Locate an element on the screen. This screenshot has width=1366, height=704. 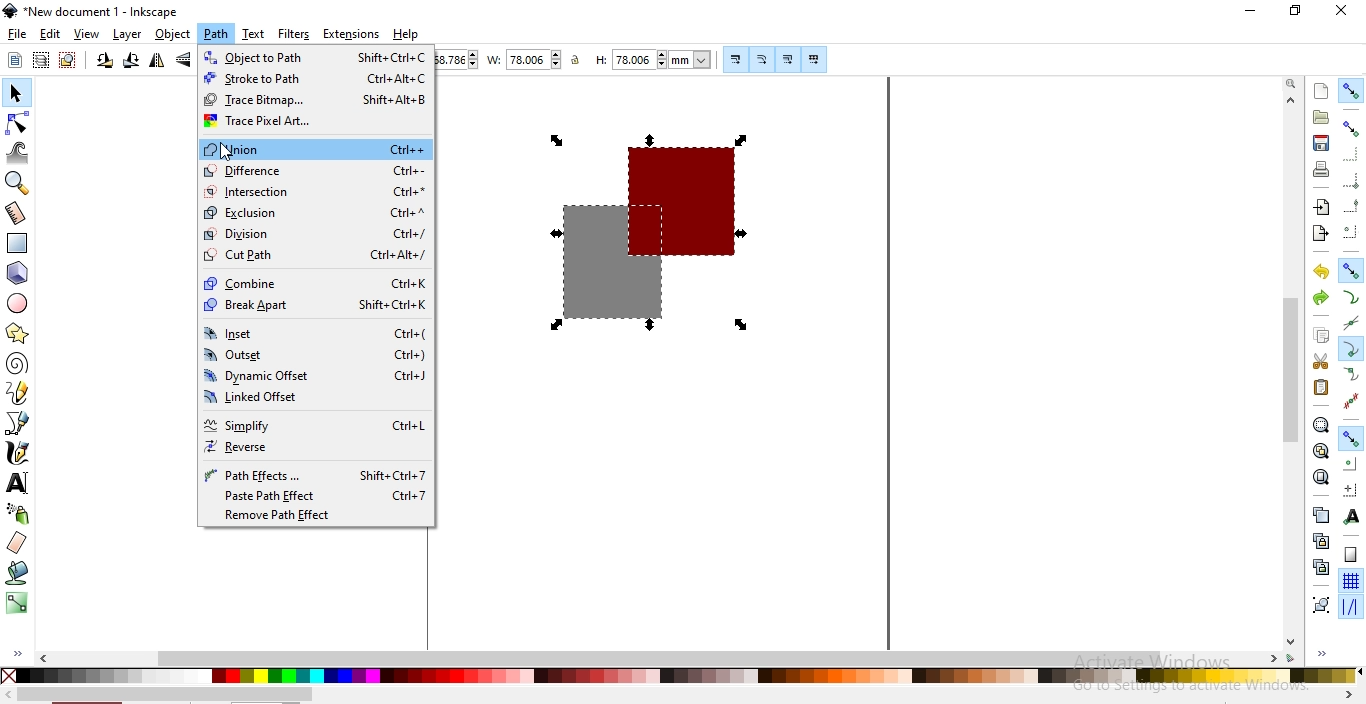
rotate 90 counter clockwise is located at coordinates (105, 62).